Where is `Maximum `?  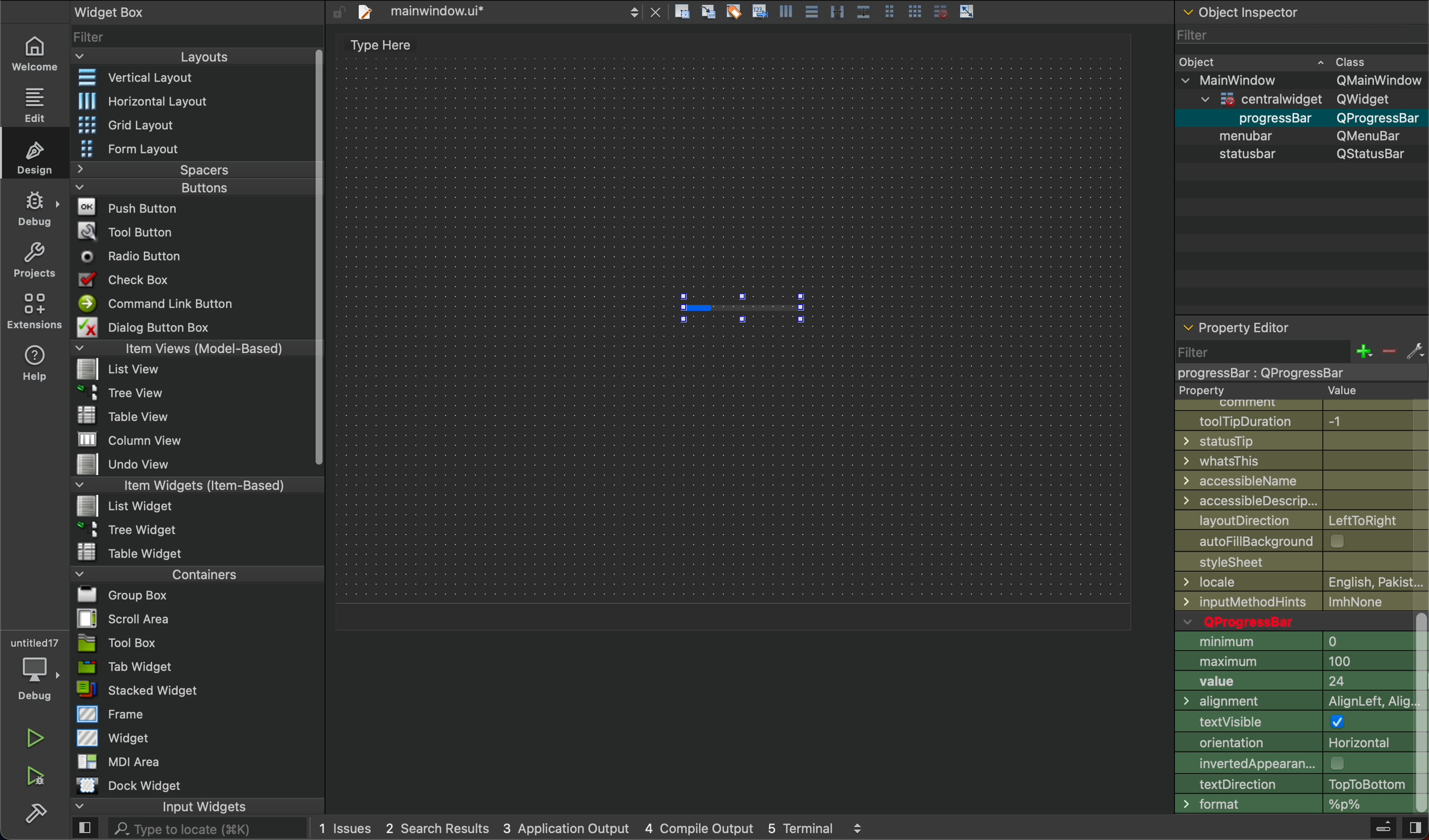
Maximum  is located at coordinates (1293, 661).